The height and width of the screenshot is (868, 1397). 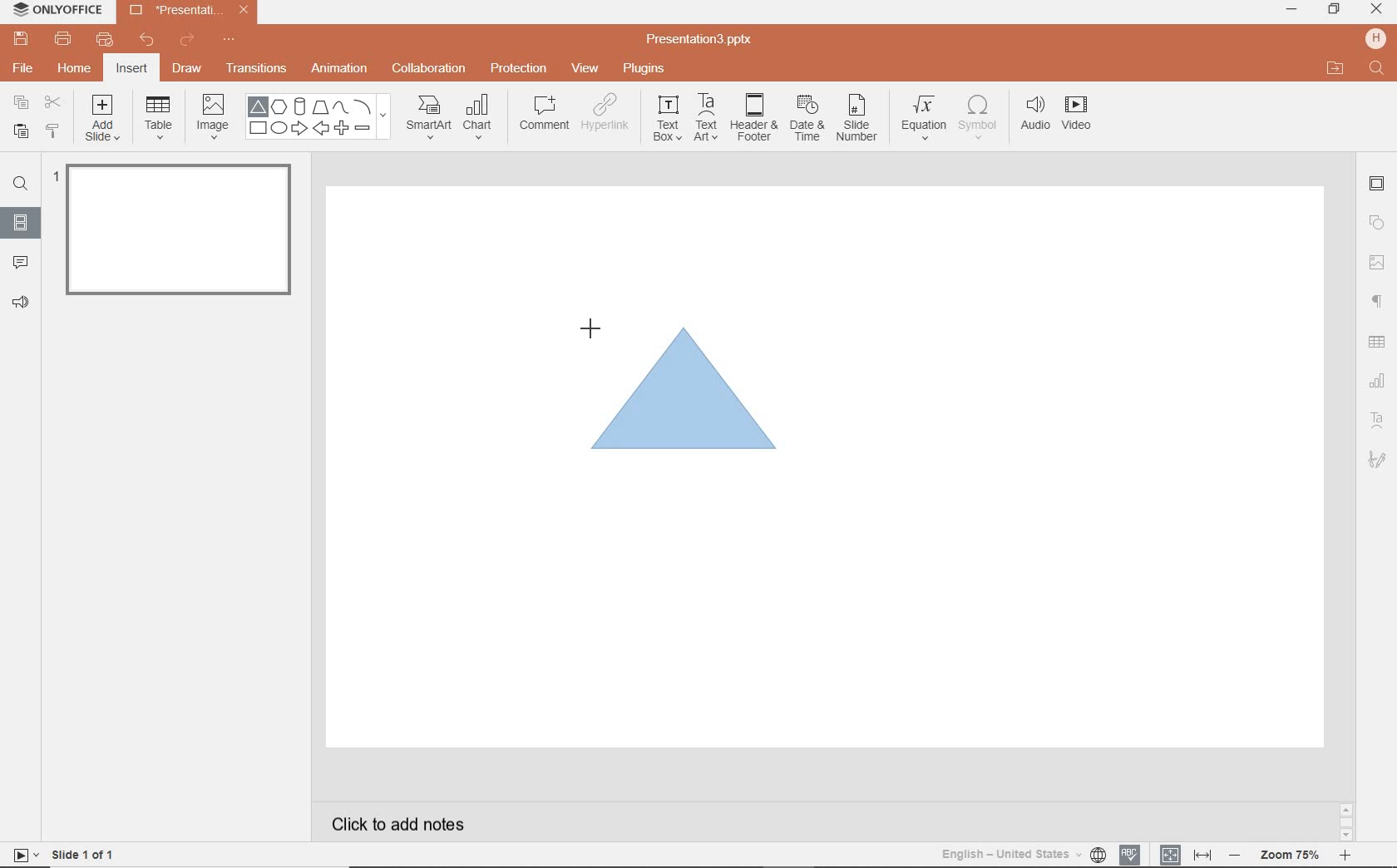 I want to click on TABLE, so click(x=159, y=118).